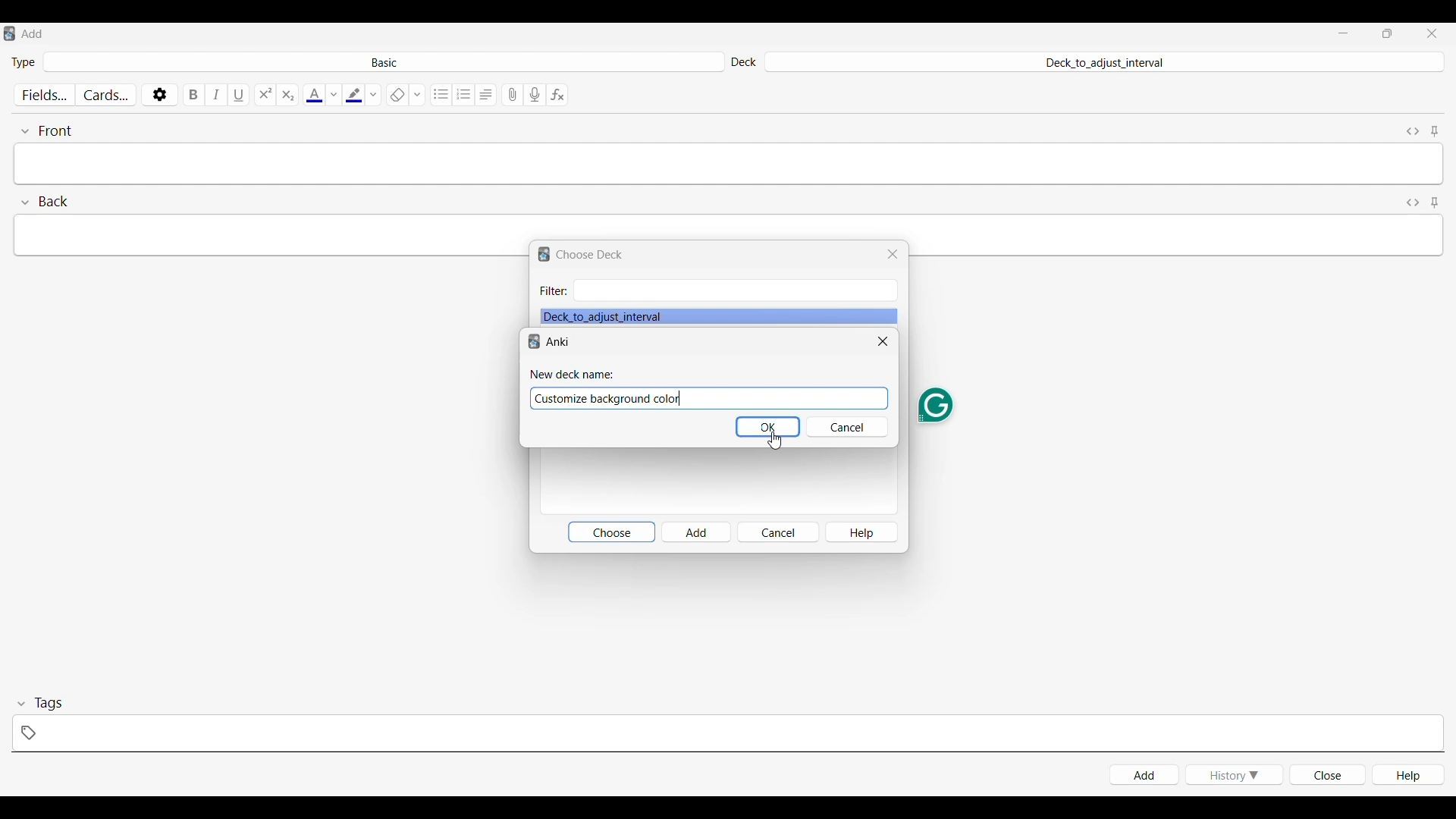 This screenshot has width=1456, height=819. I want to click on , so click(1144, 776).